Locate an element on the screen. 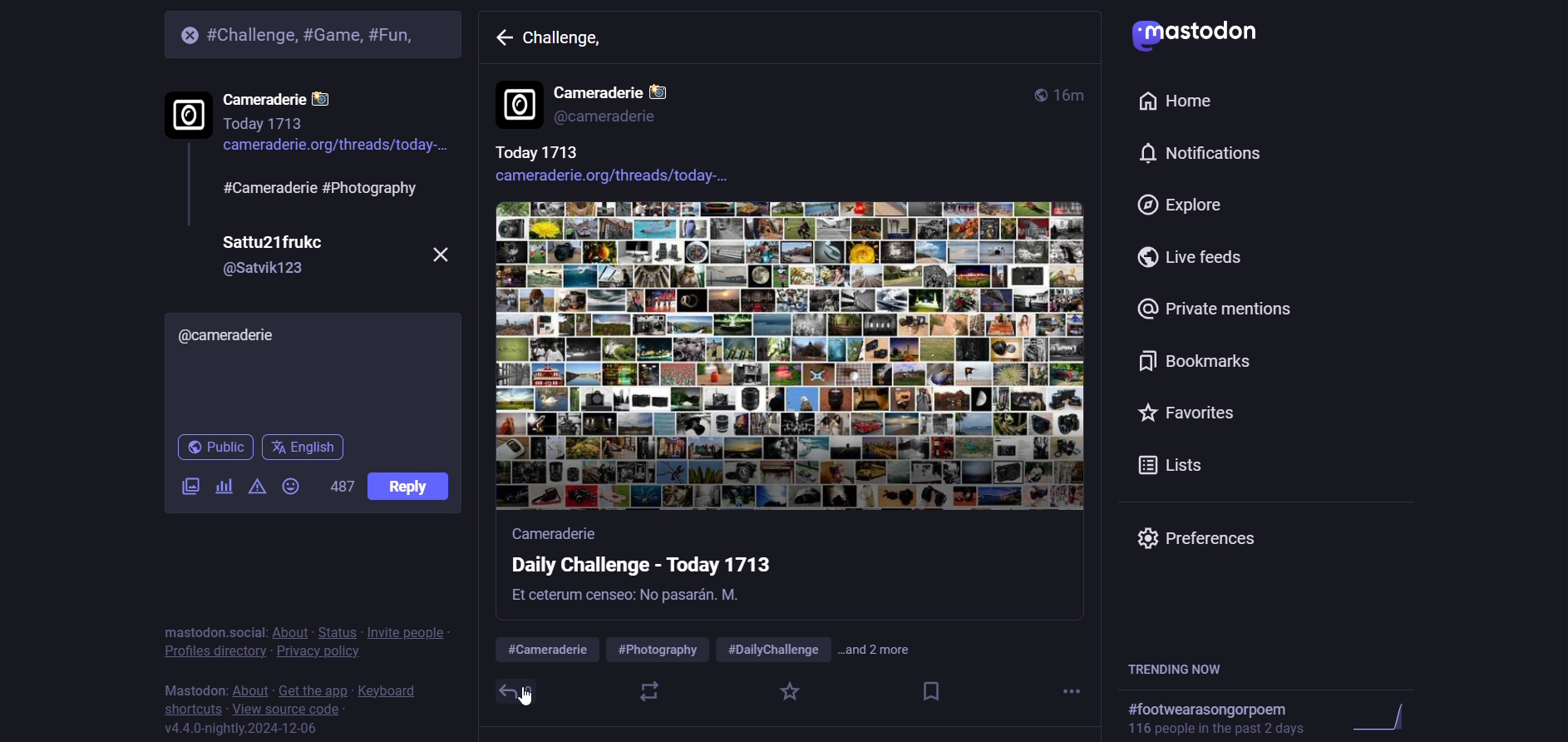  about is located at coordinates (251, 686).